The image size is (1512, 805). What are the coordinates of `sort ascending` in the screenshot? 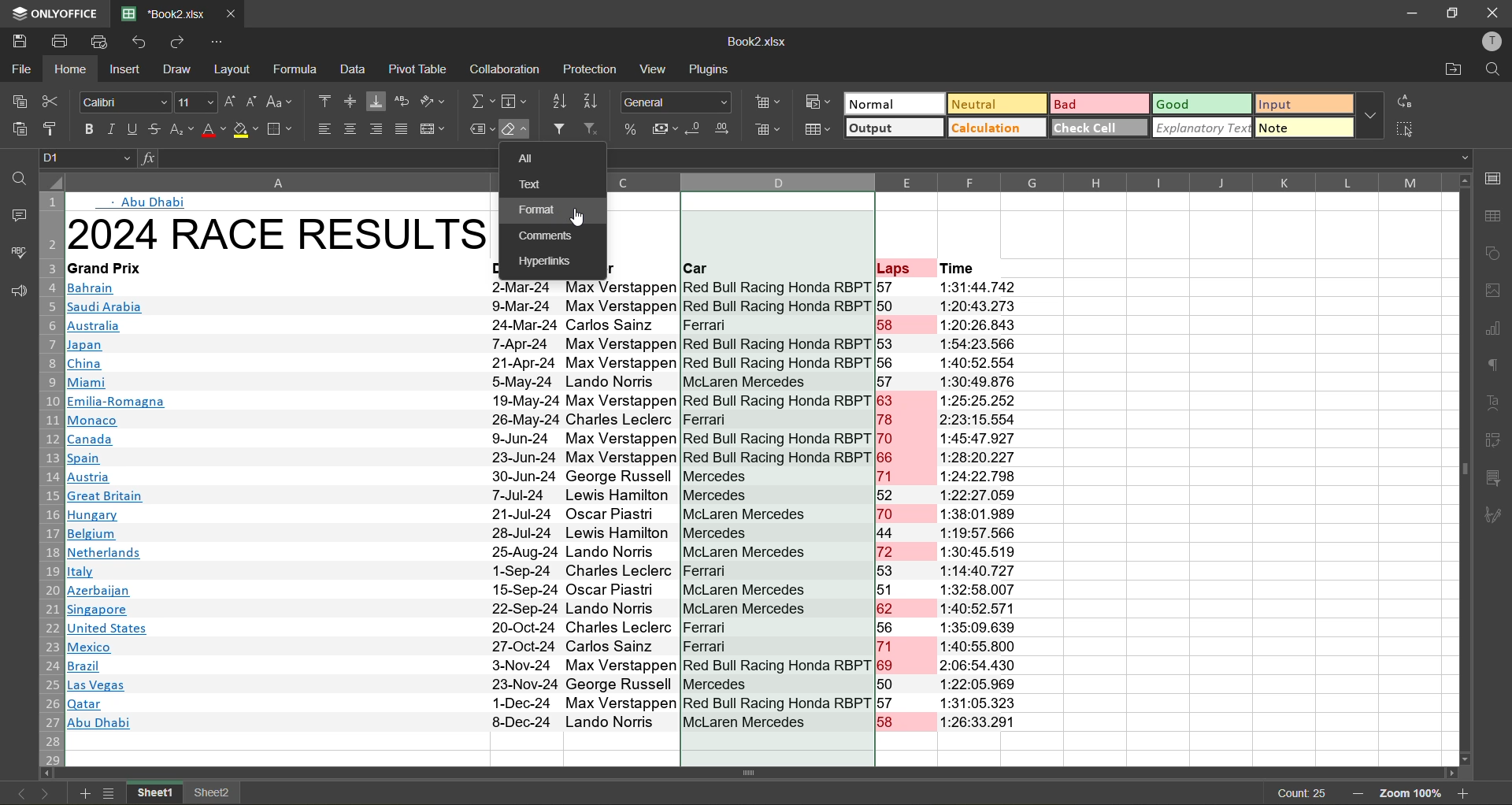 It's located at (561, 102).